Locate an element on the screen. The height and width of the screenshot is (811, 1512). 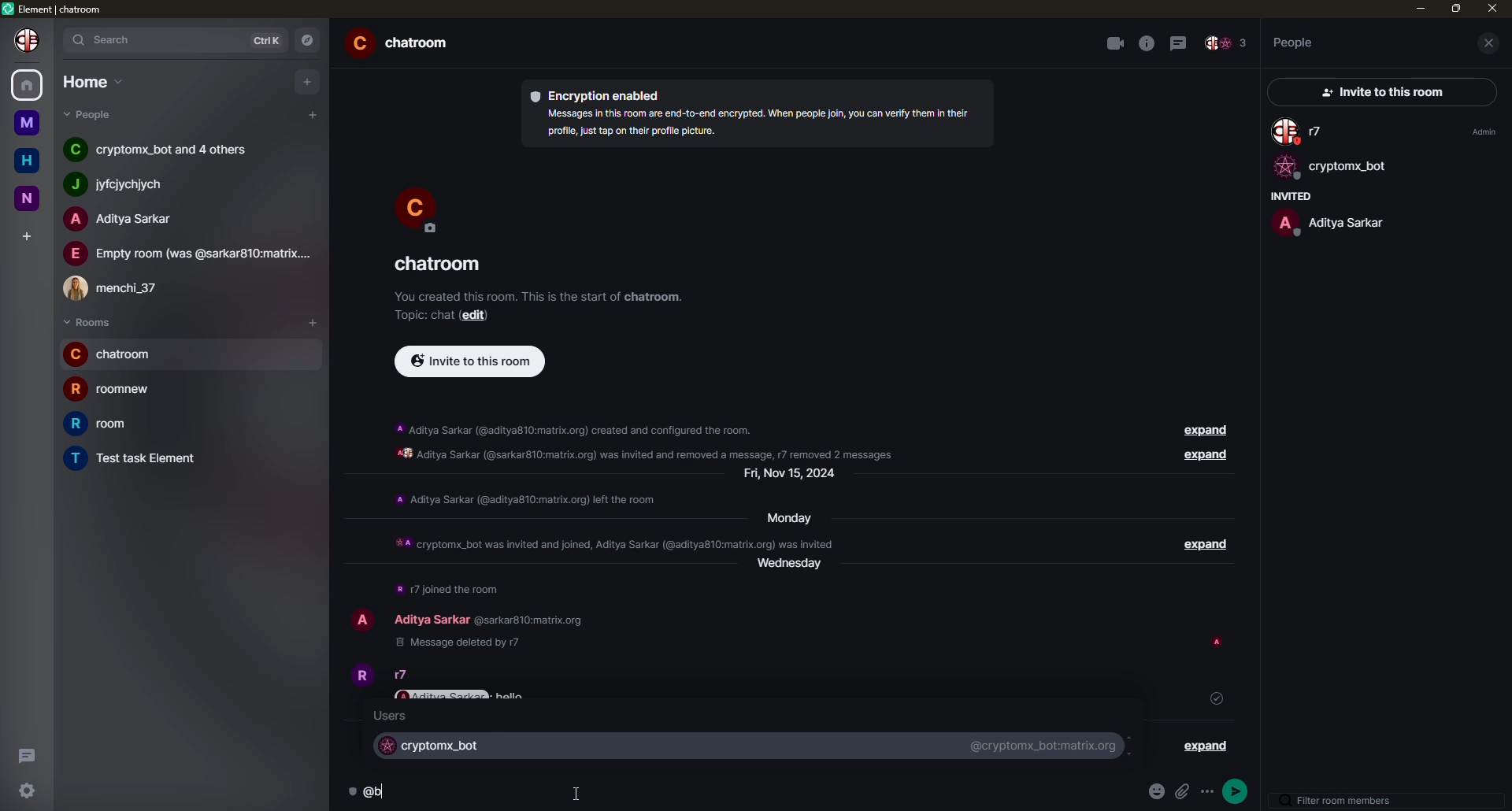
home is located at coordinates (94, 81).